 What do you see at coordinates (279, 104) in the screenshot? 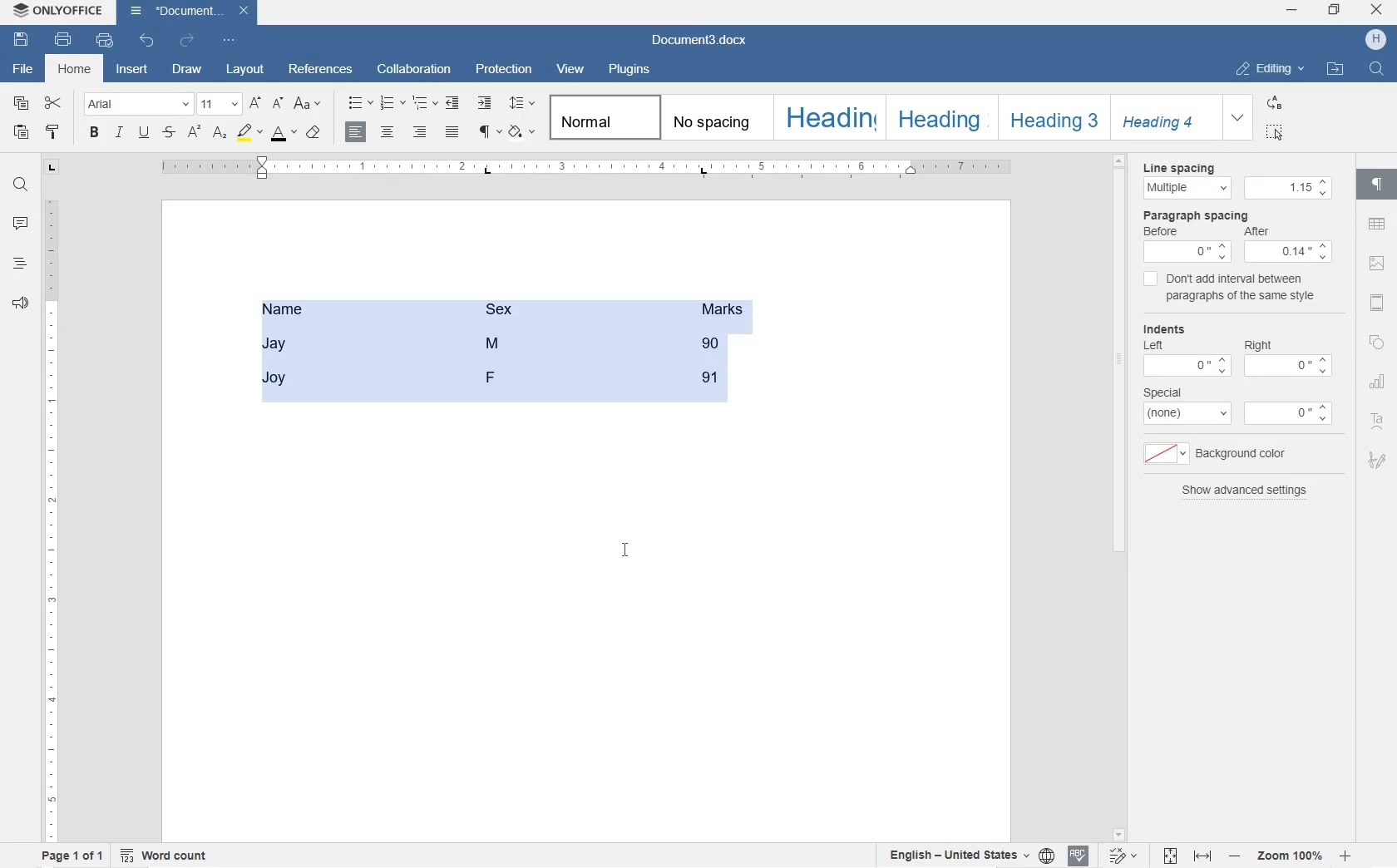
I see `DECREMENT FONT SIZE` at bounding box center [279, 104].